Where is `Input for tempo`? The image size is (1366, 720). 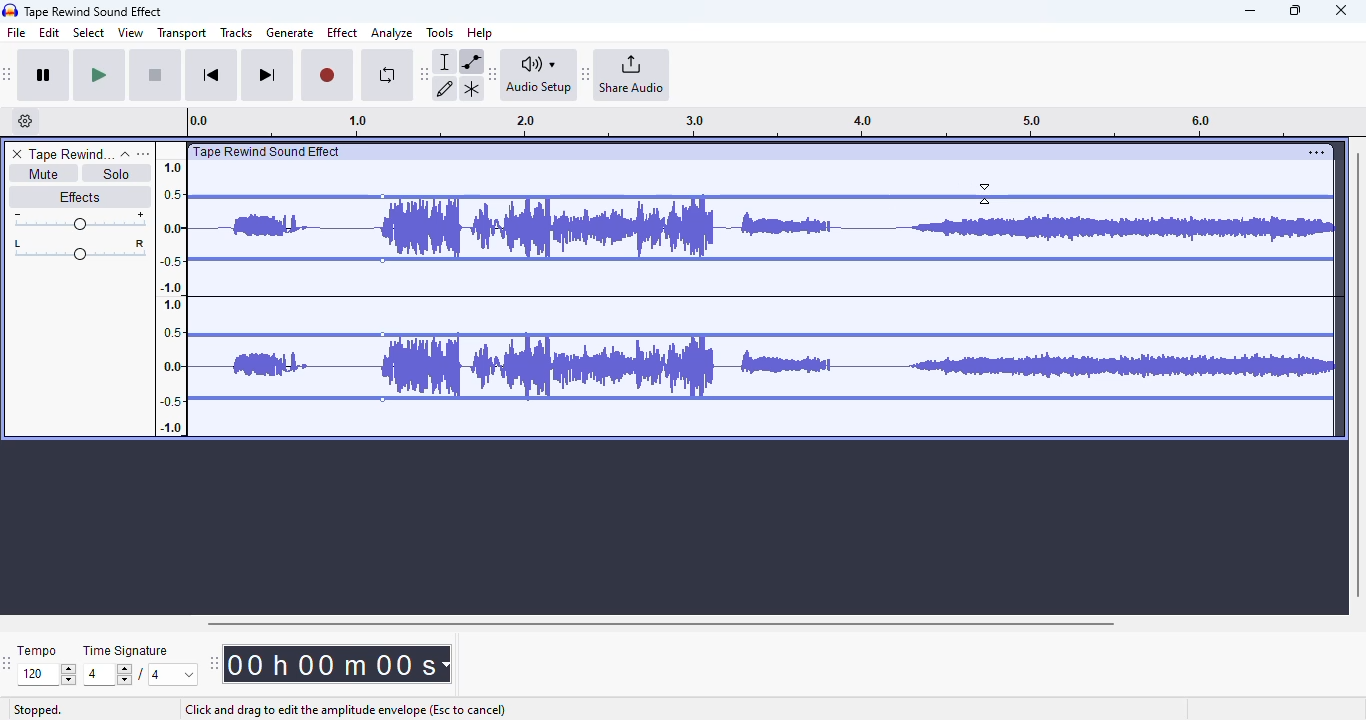
Input for tempo is located at coordinates (46, 675).